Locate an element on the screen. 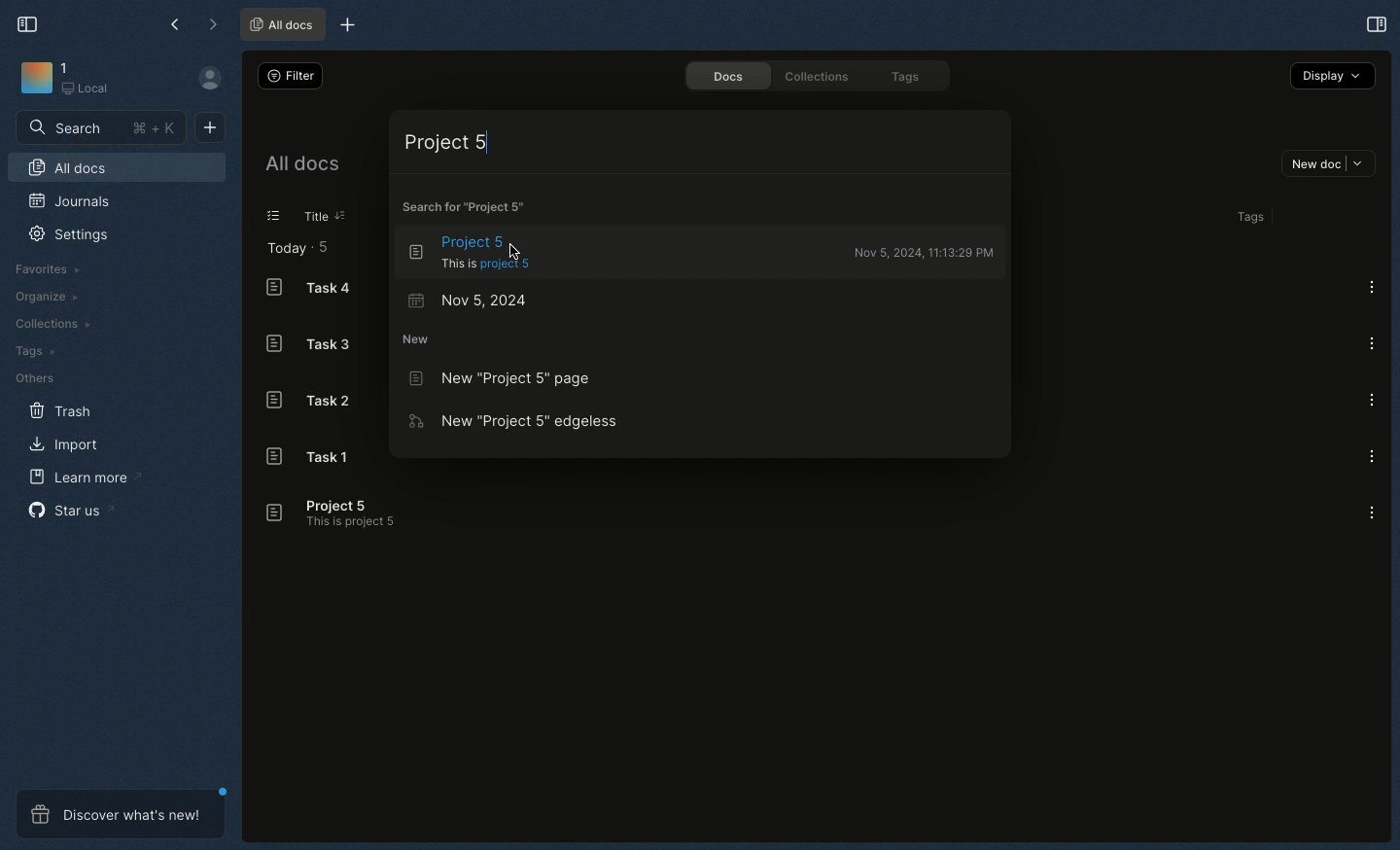  Task 1 is located at coordinates (312, 457).